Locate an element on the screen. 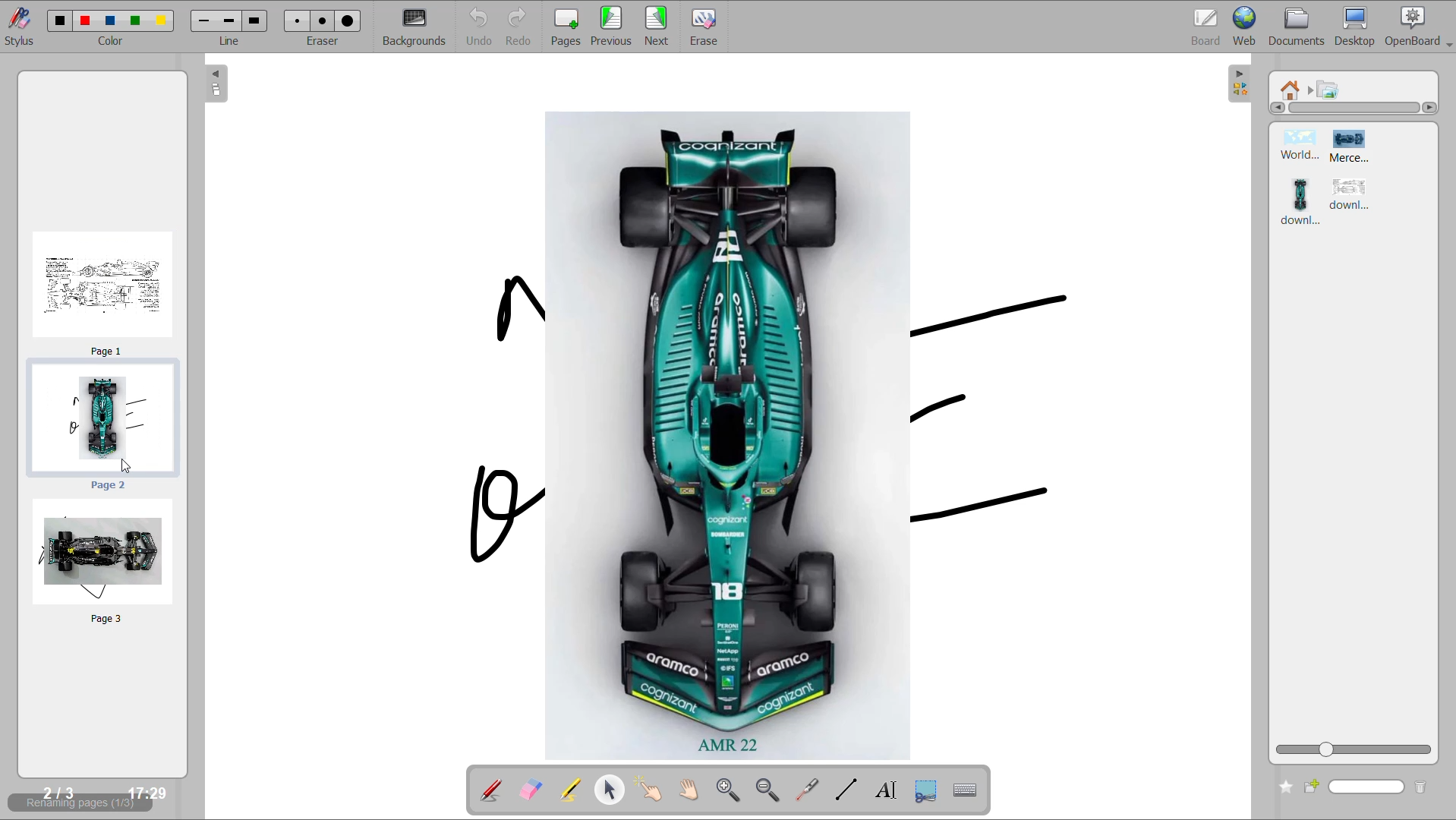 Image resolution: width=1456 pixels, height=820 pixels. color 1 is located at coordinates (56, 20).